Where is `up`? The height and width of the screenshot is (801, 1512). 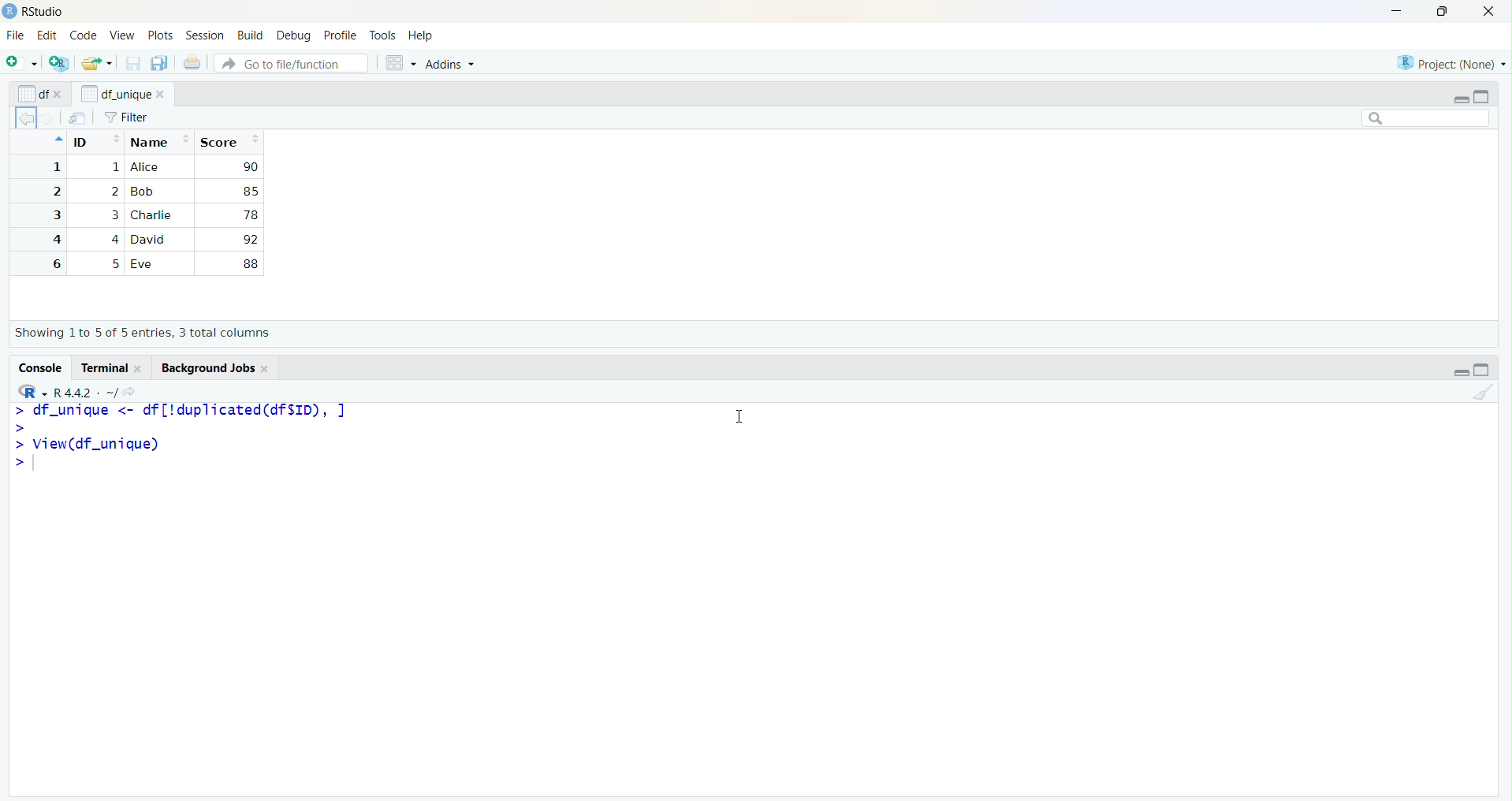
up is located at coordinates (56, 140).